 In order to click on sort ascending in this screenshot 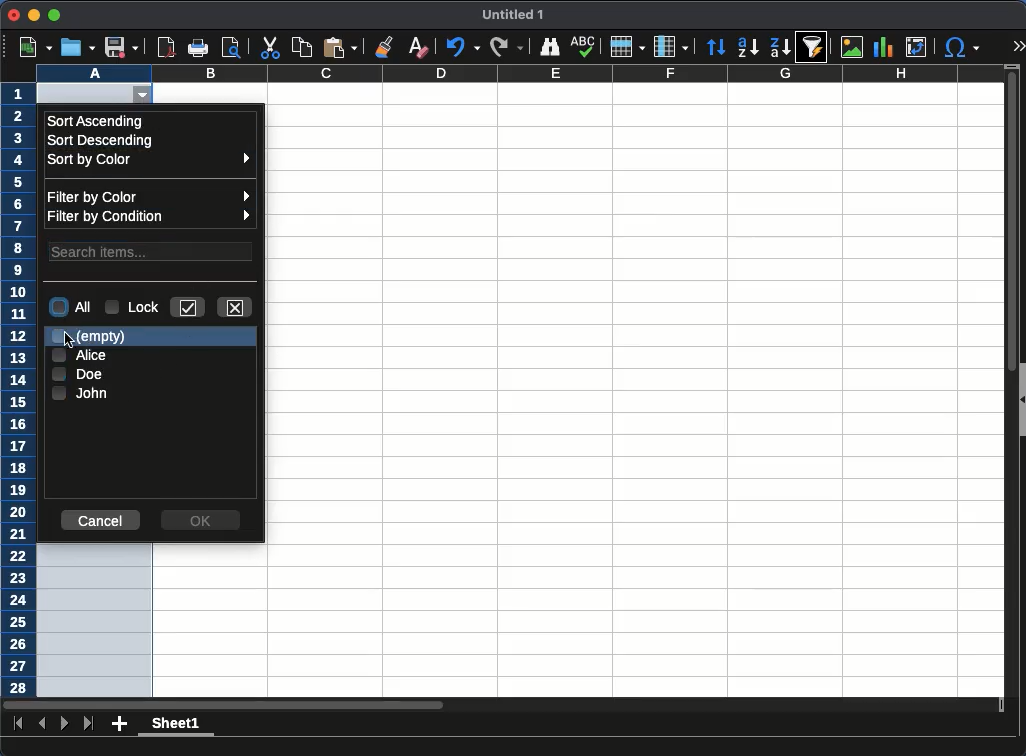, I will do `click(95, 121)`.